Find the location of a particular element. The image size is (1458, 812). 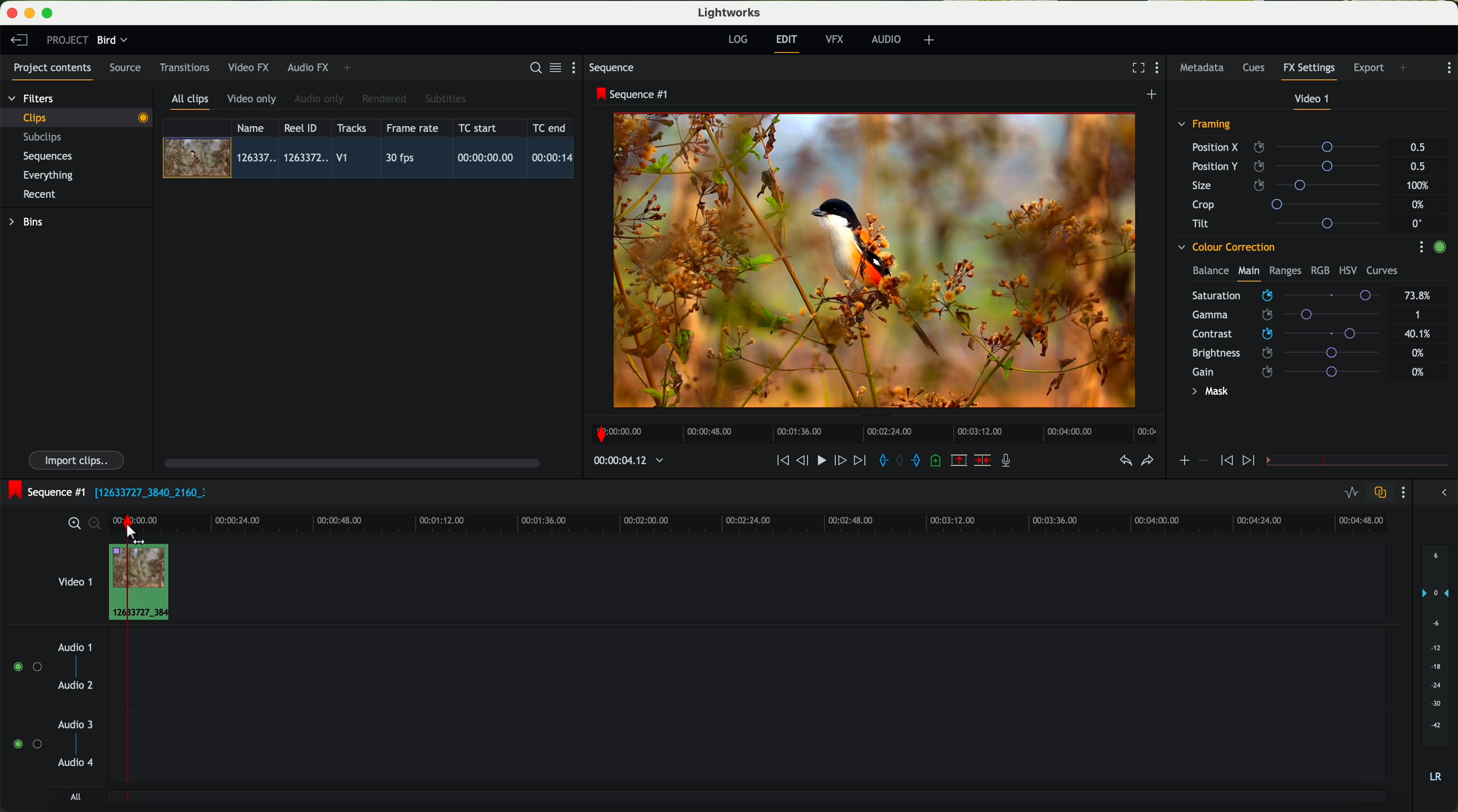

position X is located at coordinates (1290, 147).